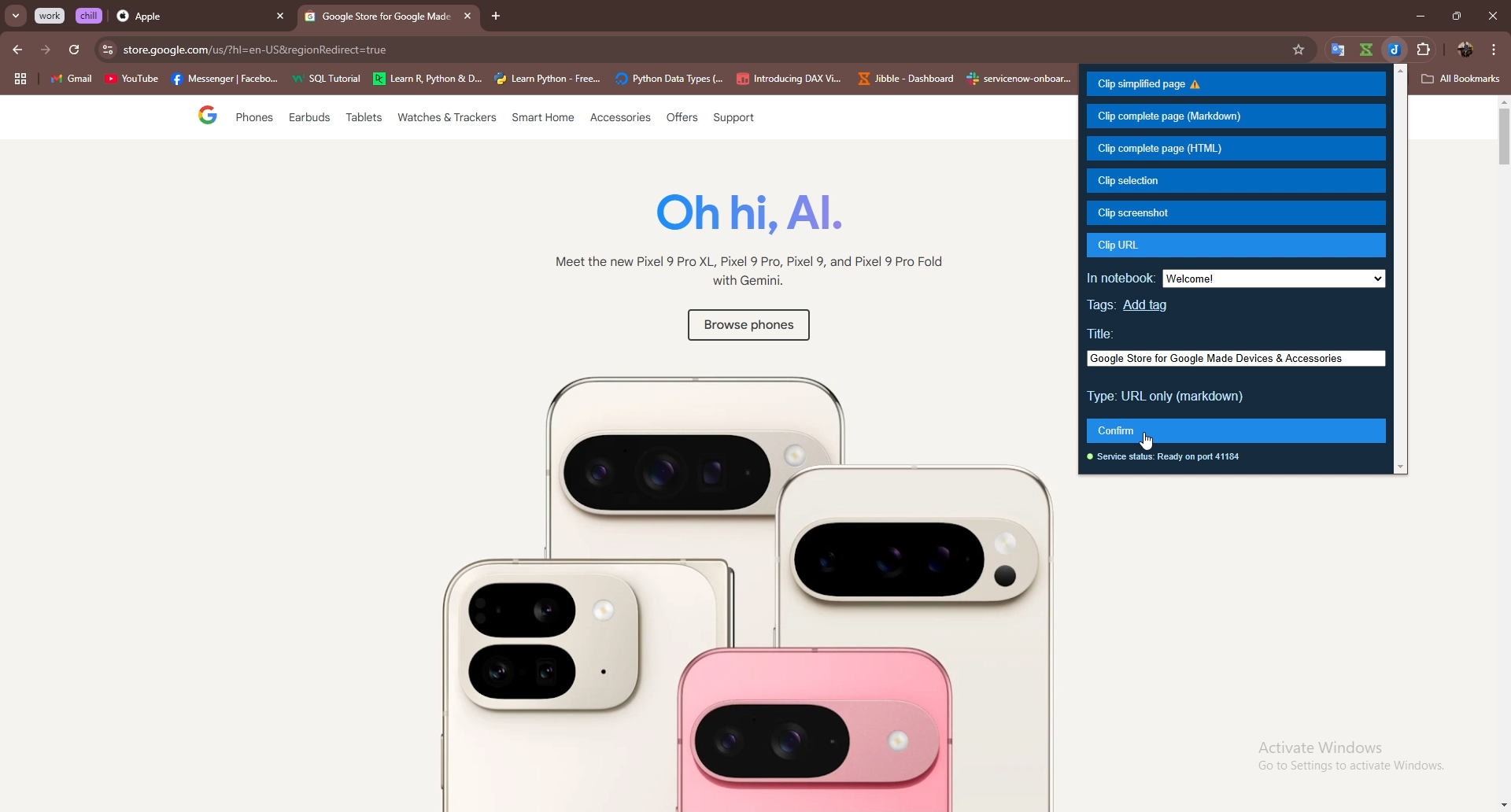 The width and height of the screenshot is (1511, 812). I want to click on close tab, so click(465, 16).